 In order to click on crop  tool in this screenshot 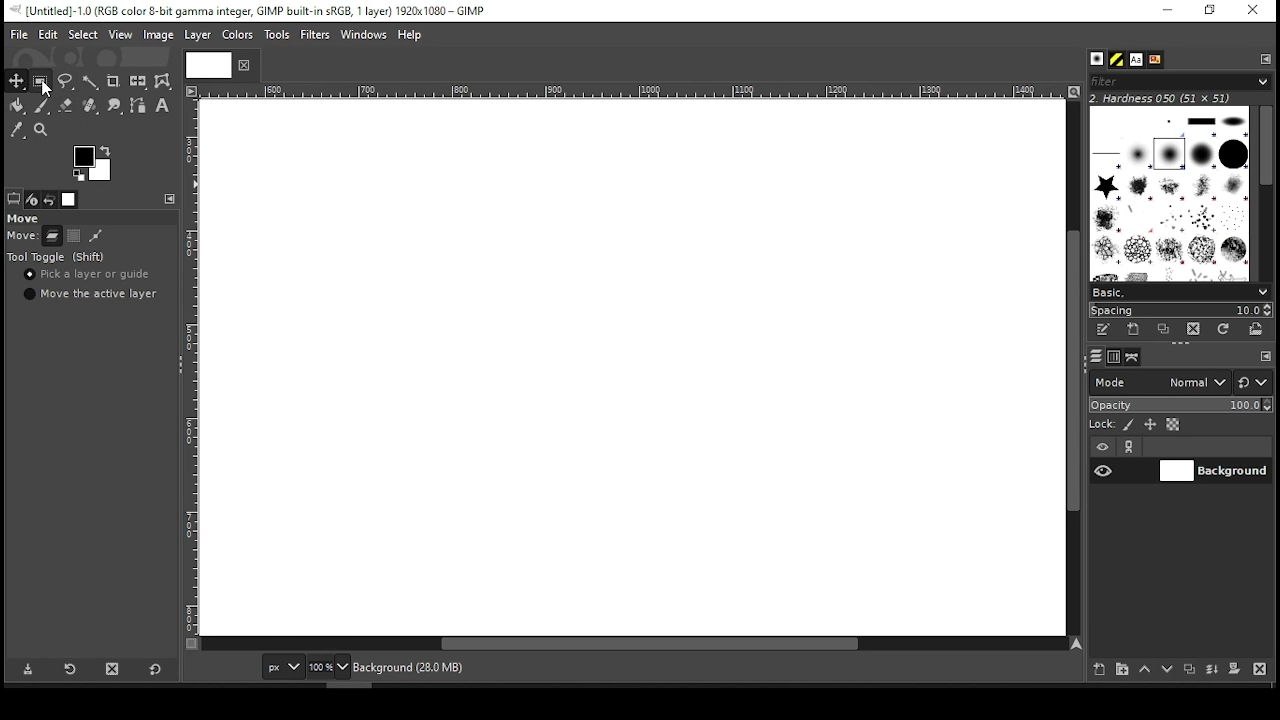, I will do `click(113, 82)`.